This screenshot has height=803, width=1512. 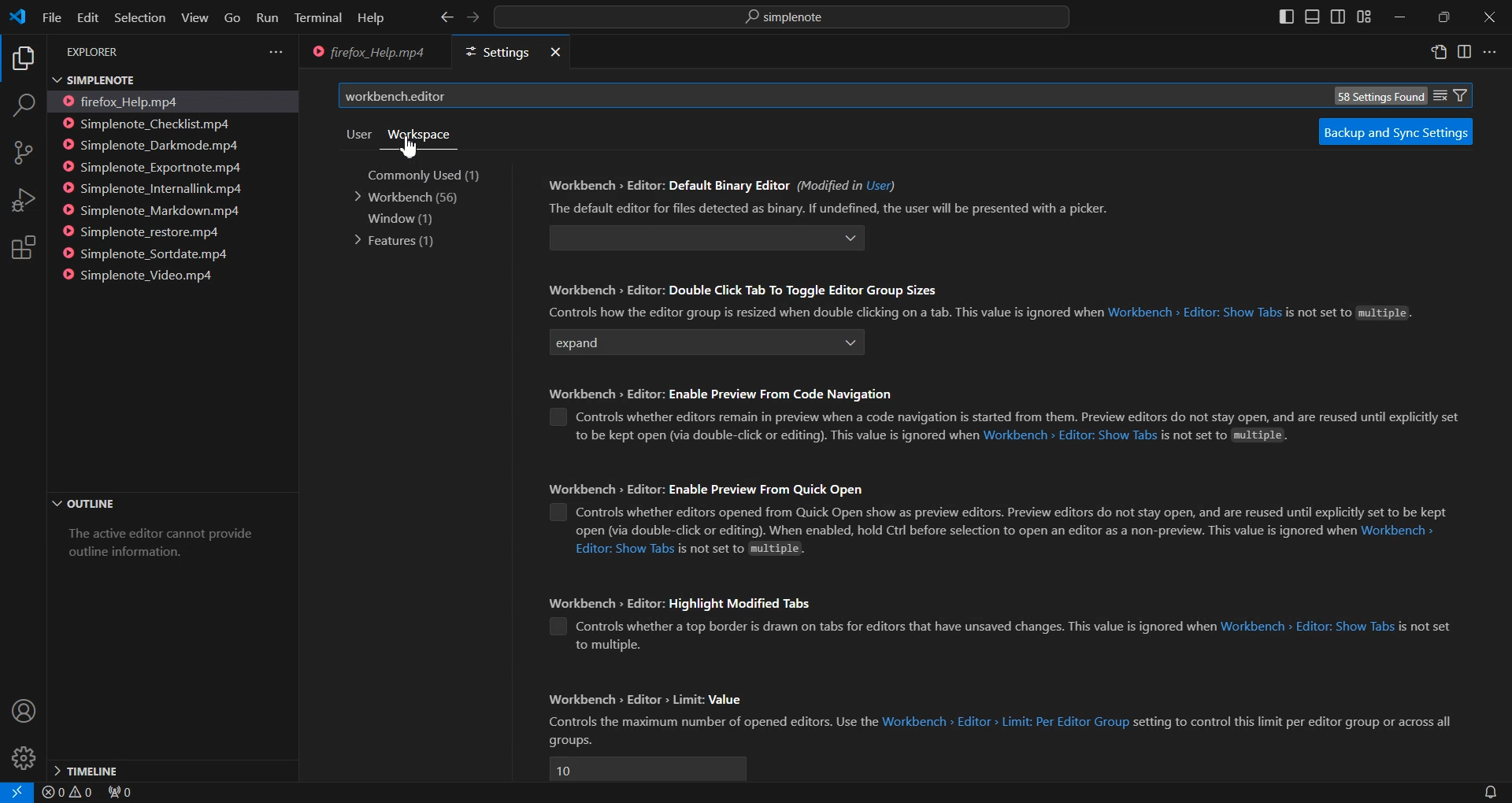 What do you see at coordinates (808, 96) in the screenshot?
I see `Workbench editor` at bounding box center [808, 96].